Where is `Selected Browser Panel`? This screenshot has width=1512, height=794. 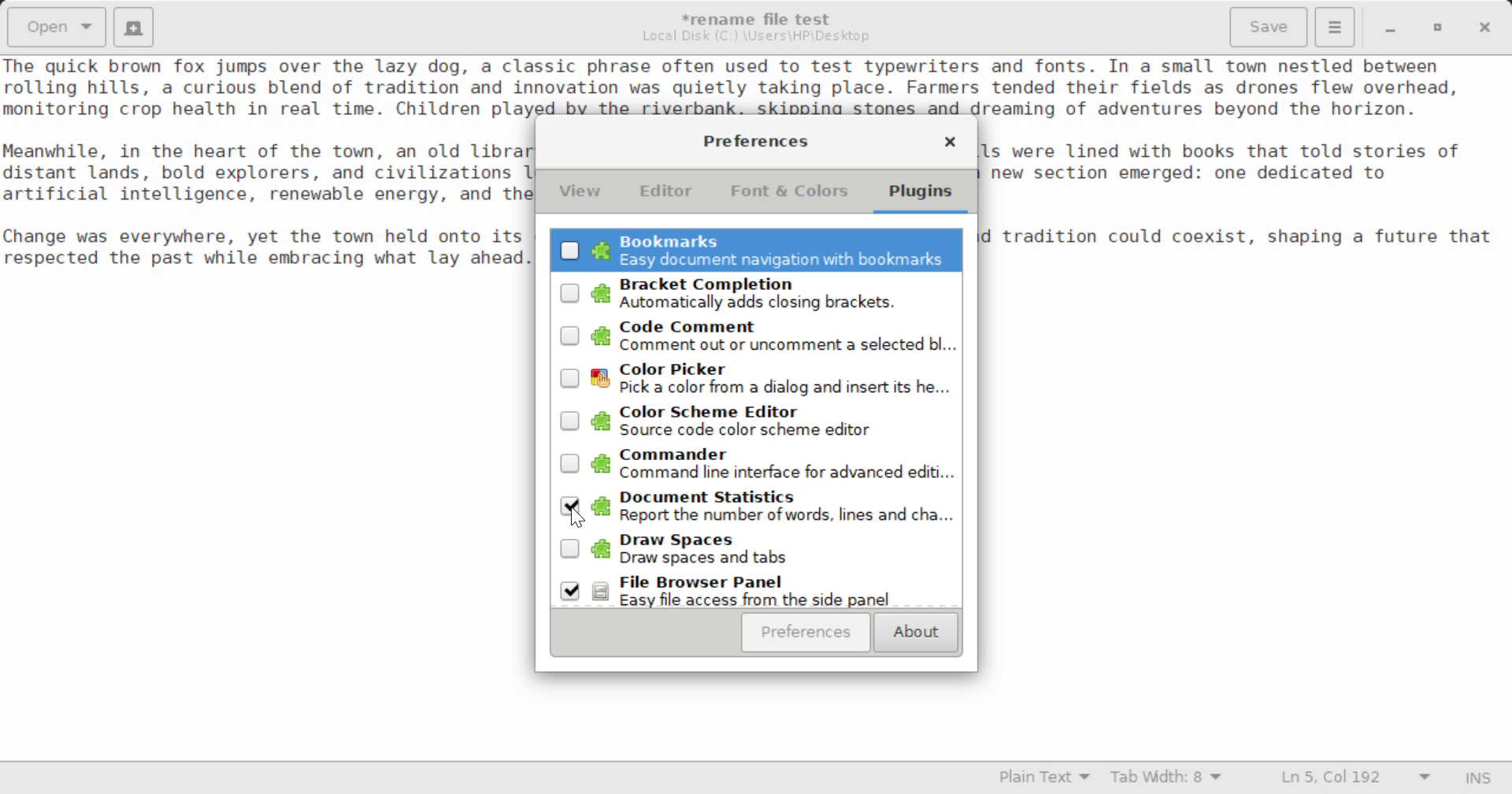
Selected Browser Panel is located at coordinates (757, 590).